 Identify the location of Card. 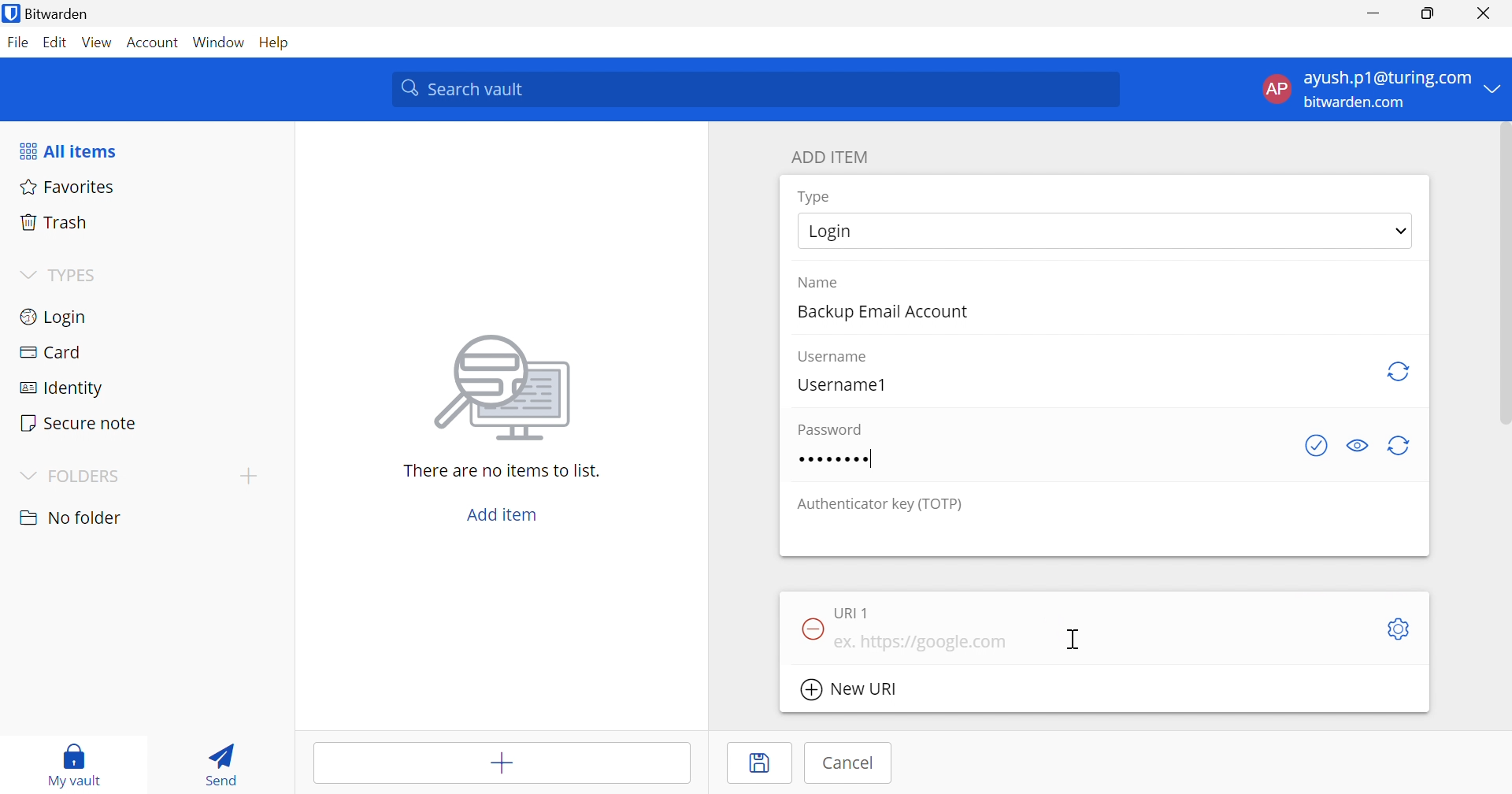
(50, 354).